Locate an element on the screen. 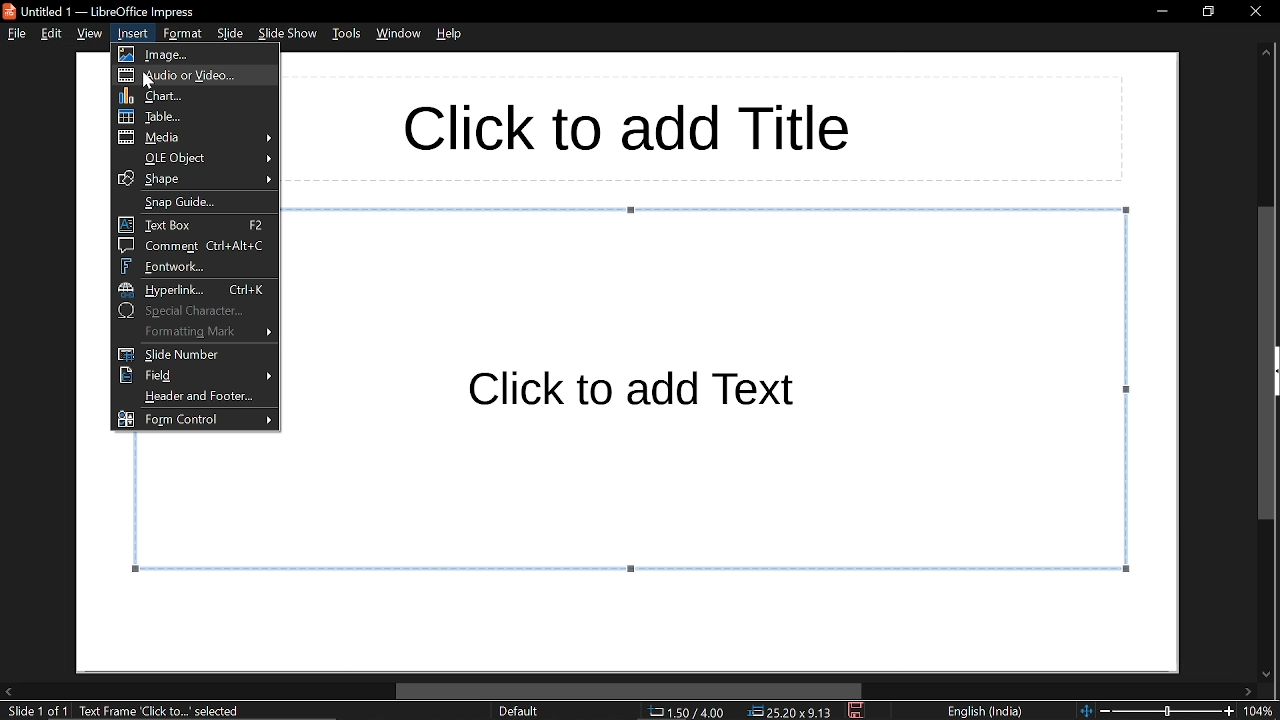 Image resolution: width=1280 pixels, height=720 pixels. text frame "Click to.." selected is located at coordinates (162, 712).